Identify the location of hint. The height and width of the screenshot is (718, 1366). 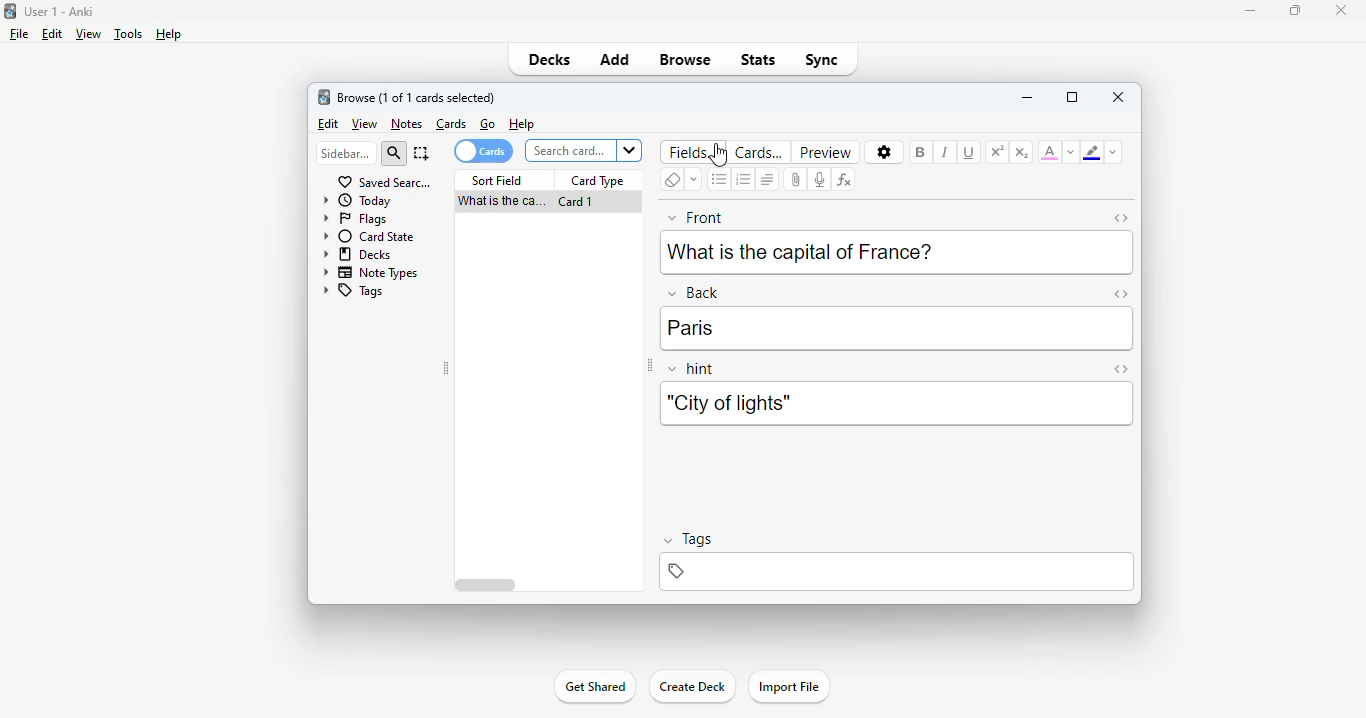
(692, 370).